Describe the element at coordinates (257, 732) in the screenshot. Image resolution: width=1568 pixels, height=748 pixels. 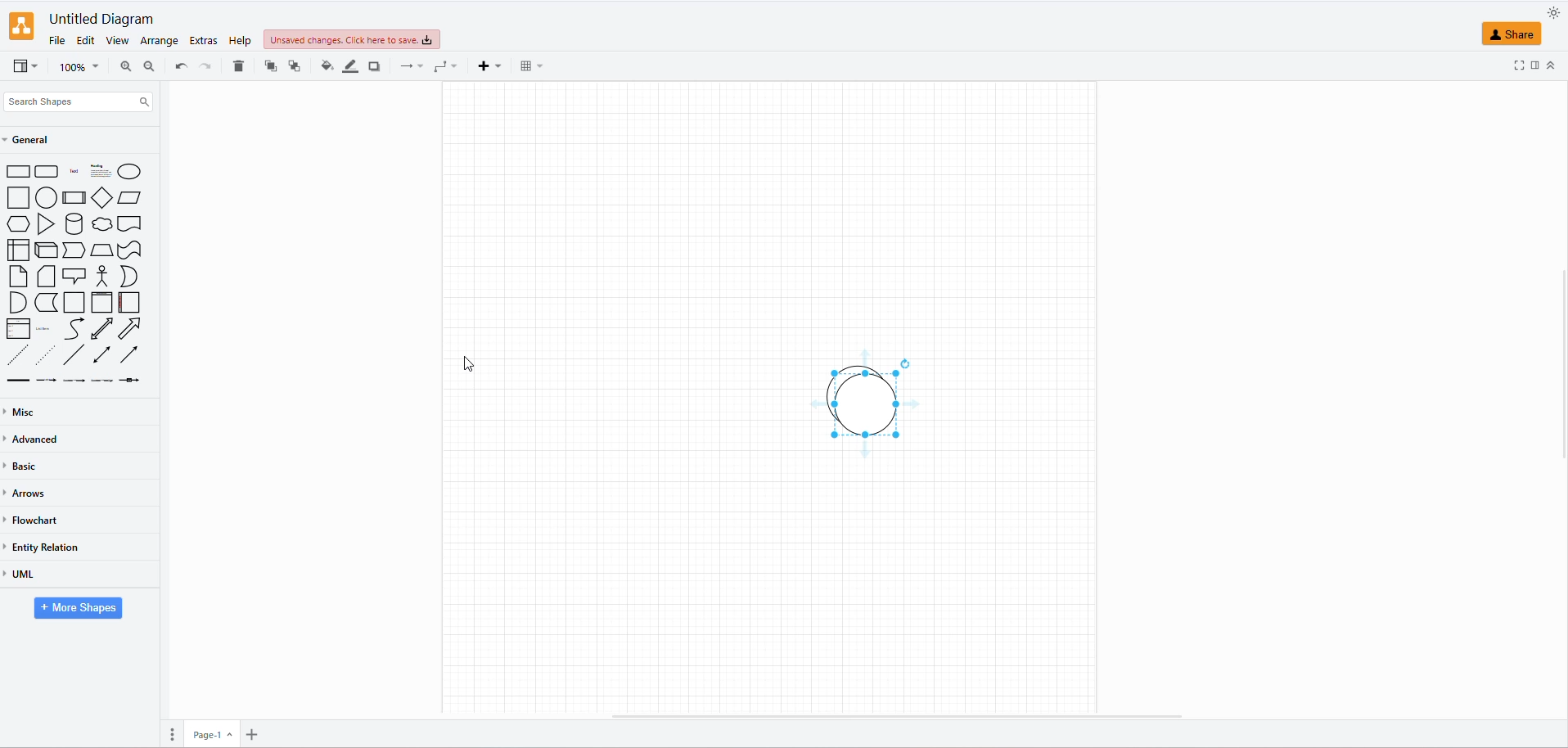
I see `INSERT PAGE` at that location.